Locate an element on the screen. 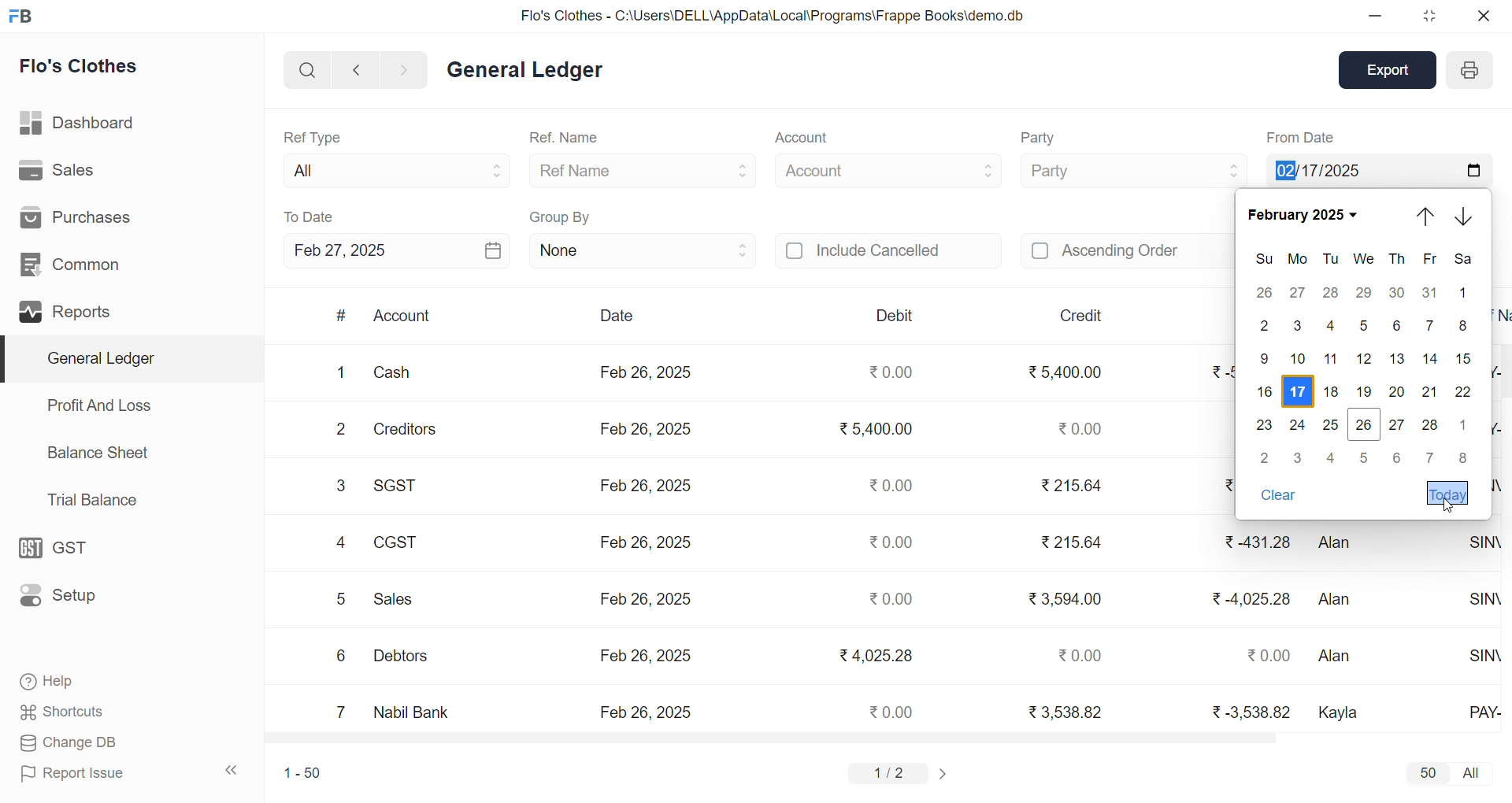 This screenshot has width=1512, height=803. To Date is located at coordinates (310, 216).